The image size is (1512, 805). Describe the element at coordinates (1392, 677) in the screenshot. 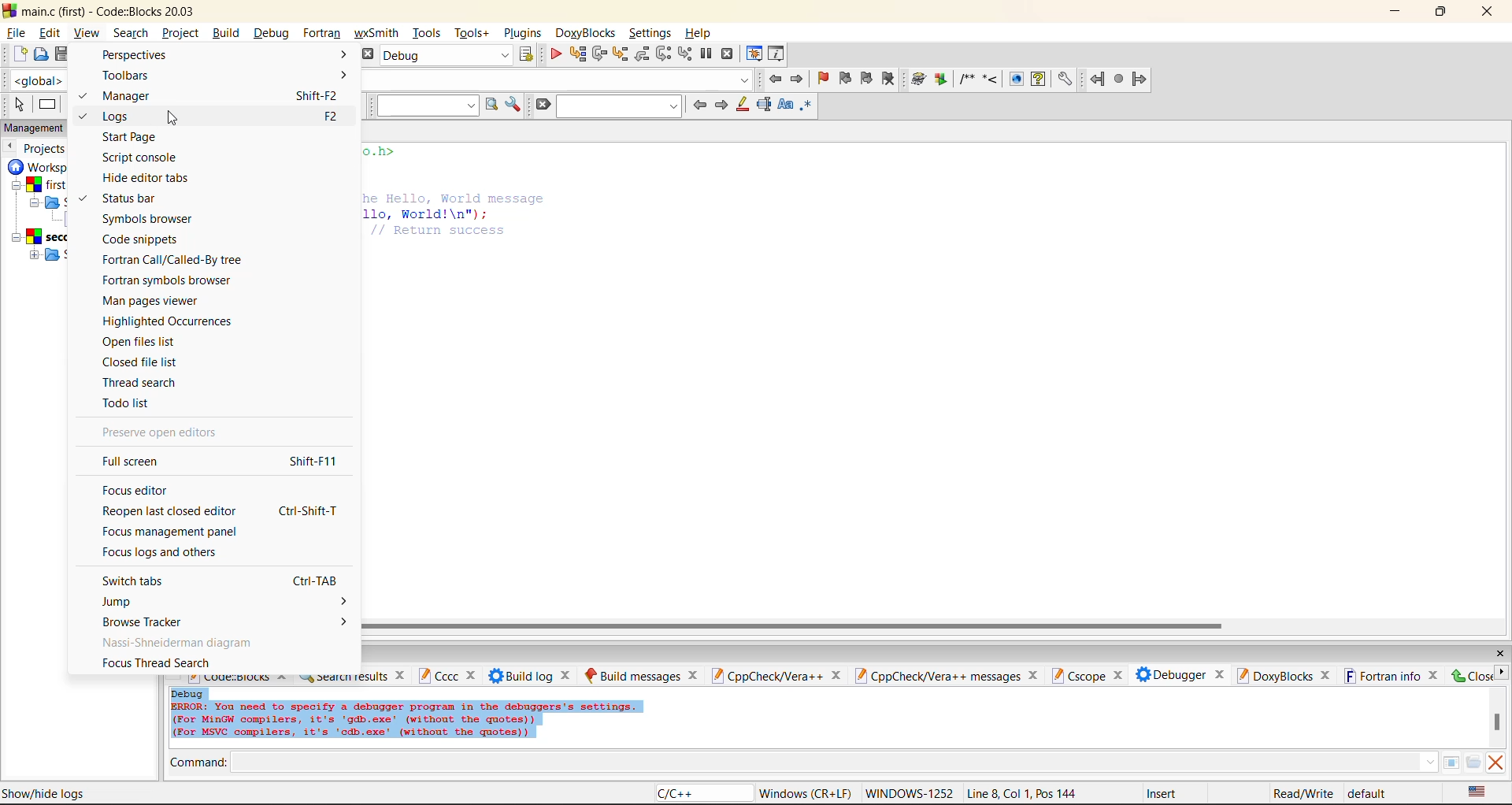

I see `fortran info` at that location.